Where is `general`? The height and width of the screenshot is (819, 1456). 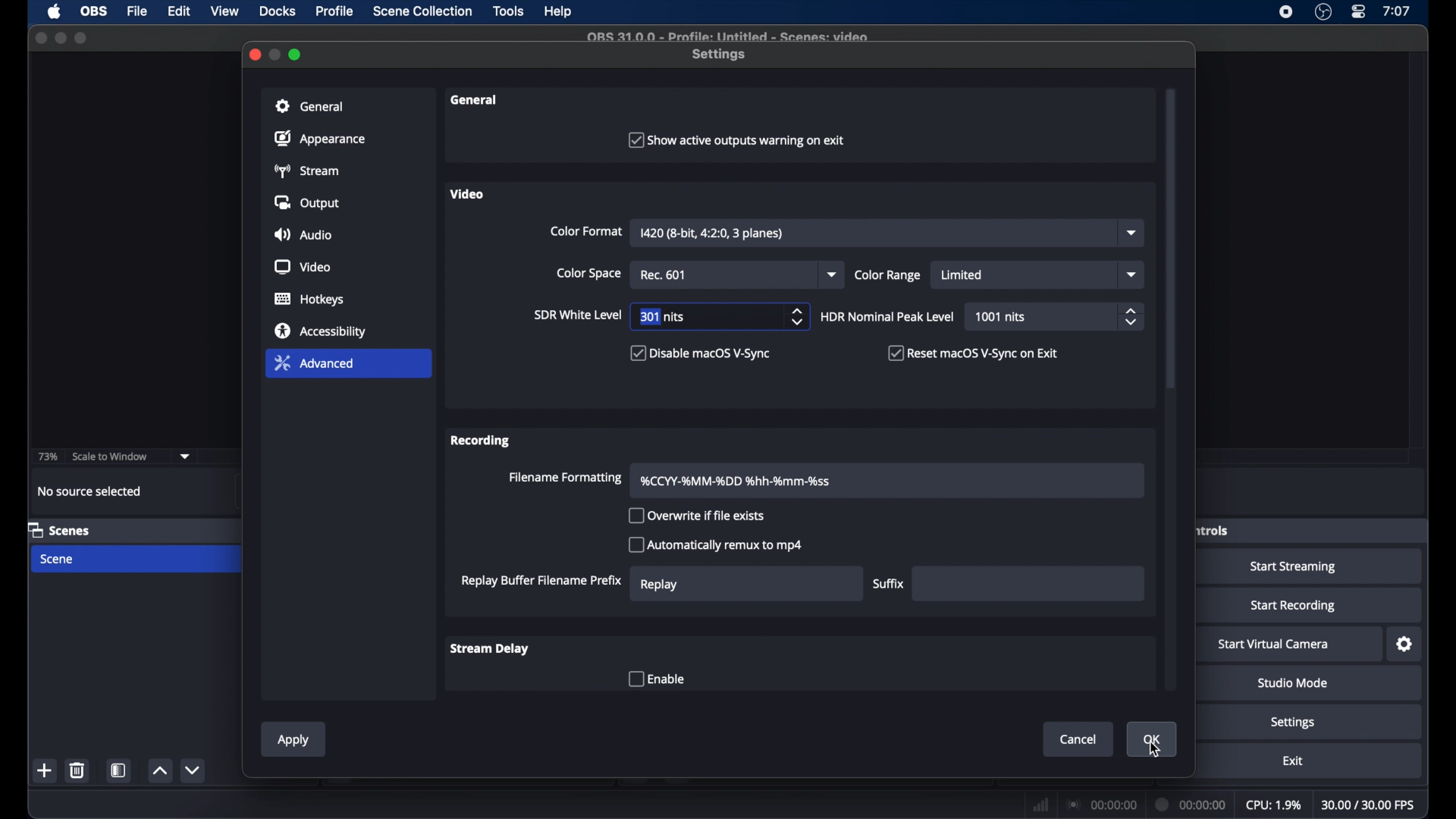 general is located at coordinates (476, 99).